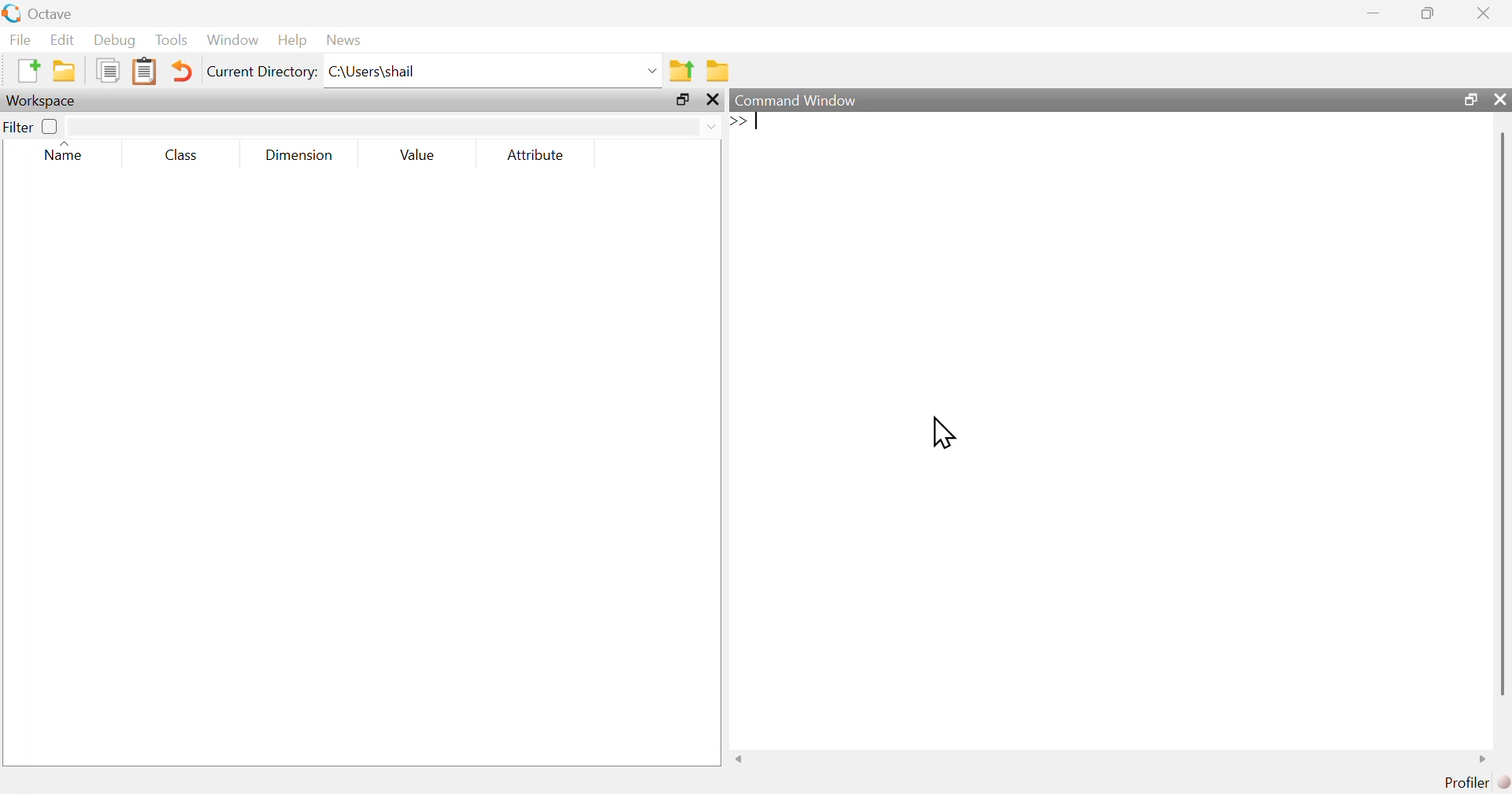 Image resolution: width=1512 pixels, height=794 pixels. Describe the element at coordinates (713, 101) in the screenshot. I see `close` at that location.